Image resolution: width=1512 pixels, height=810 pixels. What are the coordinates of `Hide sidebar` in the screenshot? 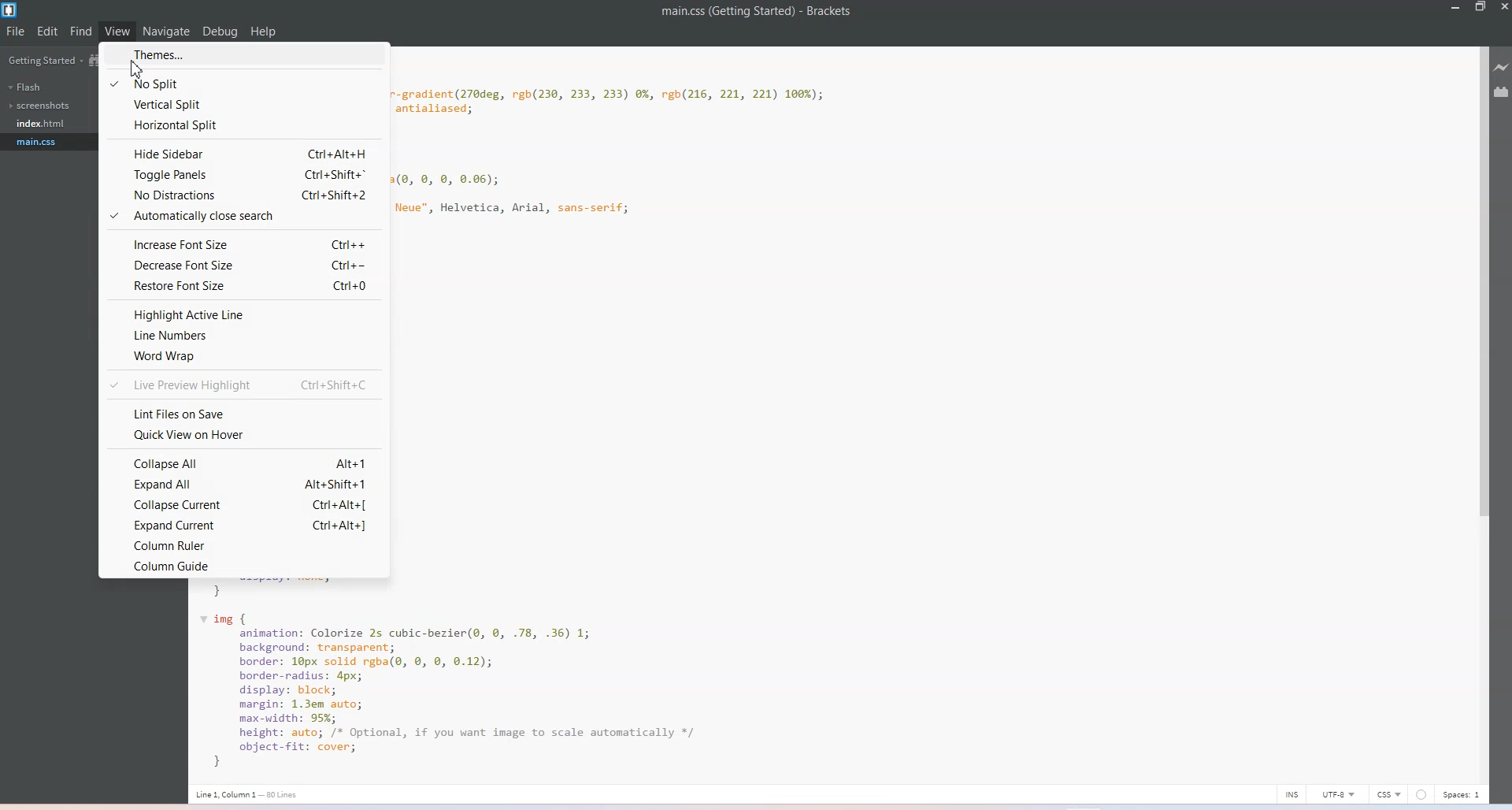 It's located at (243, 152).